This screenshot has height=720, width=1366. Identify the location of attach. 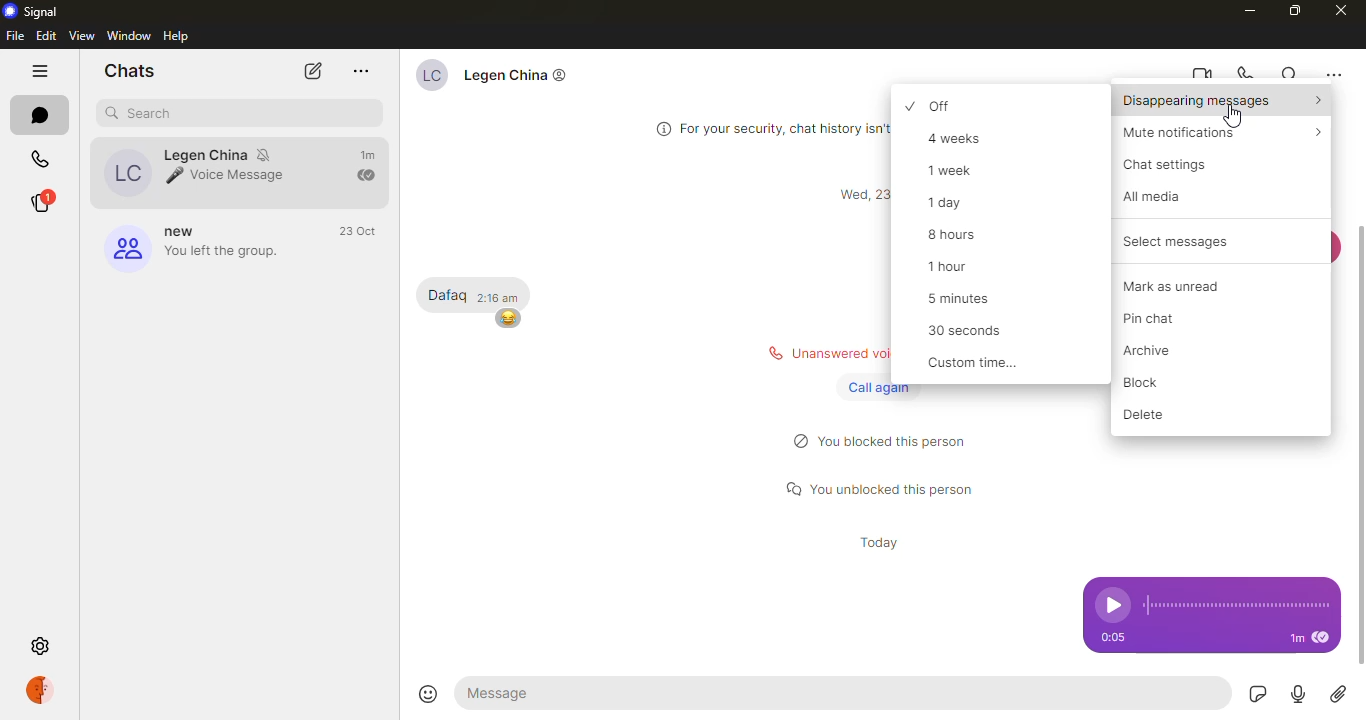
(1339, 695).